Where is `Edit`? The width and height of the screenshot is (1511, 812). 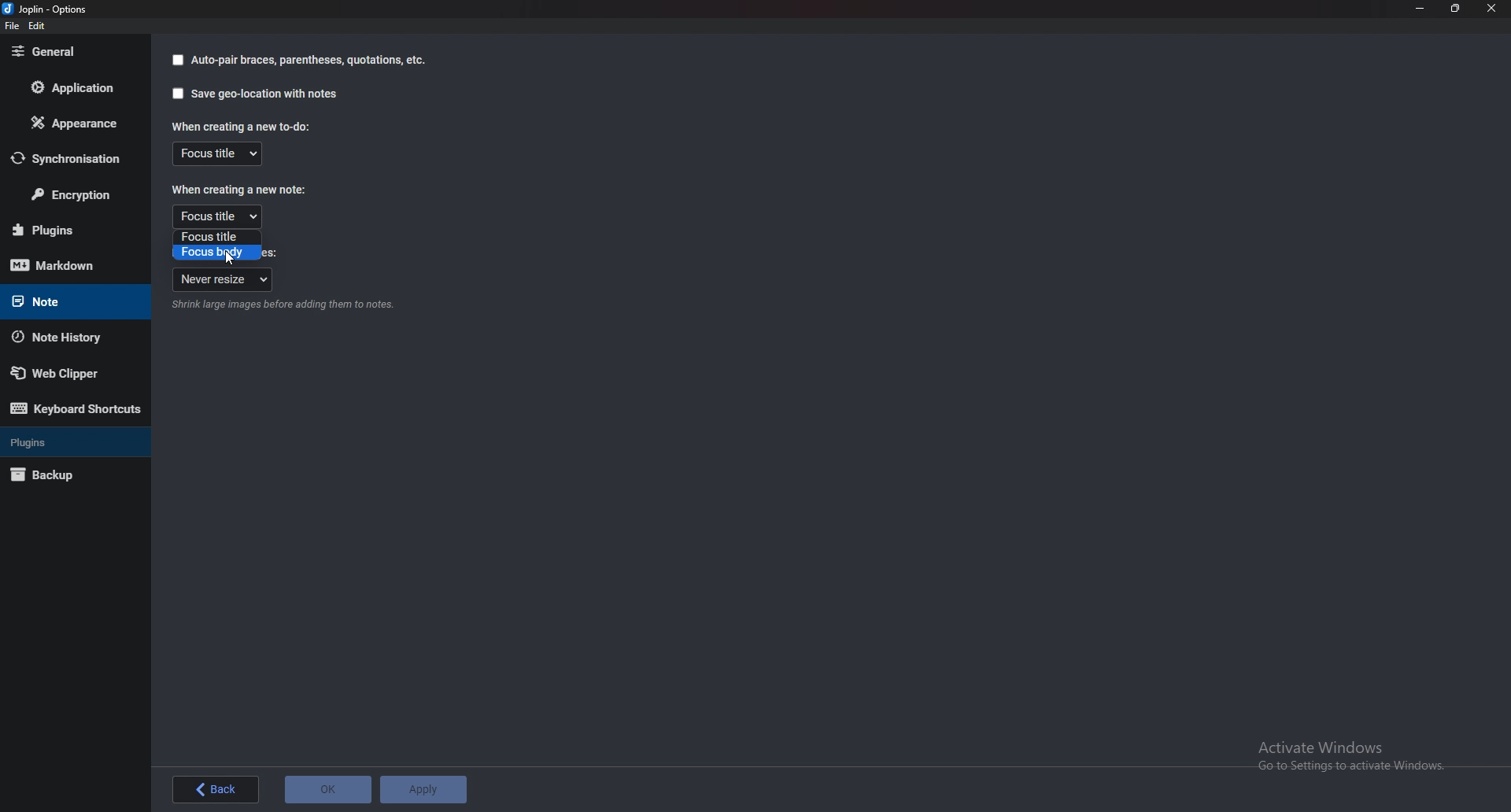
Edit is located at coordinates (38, 27).